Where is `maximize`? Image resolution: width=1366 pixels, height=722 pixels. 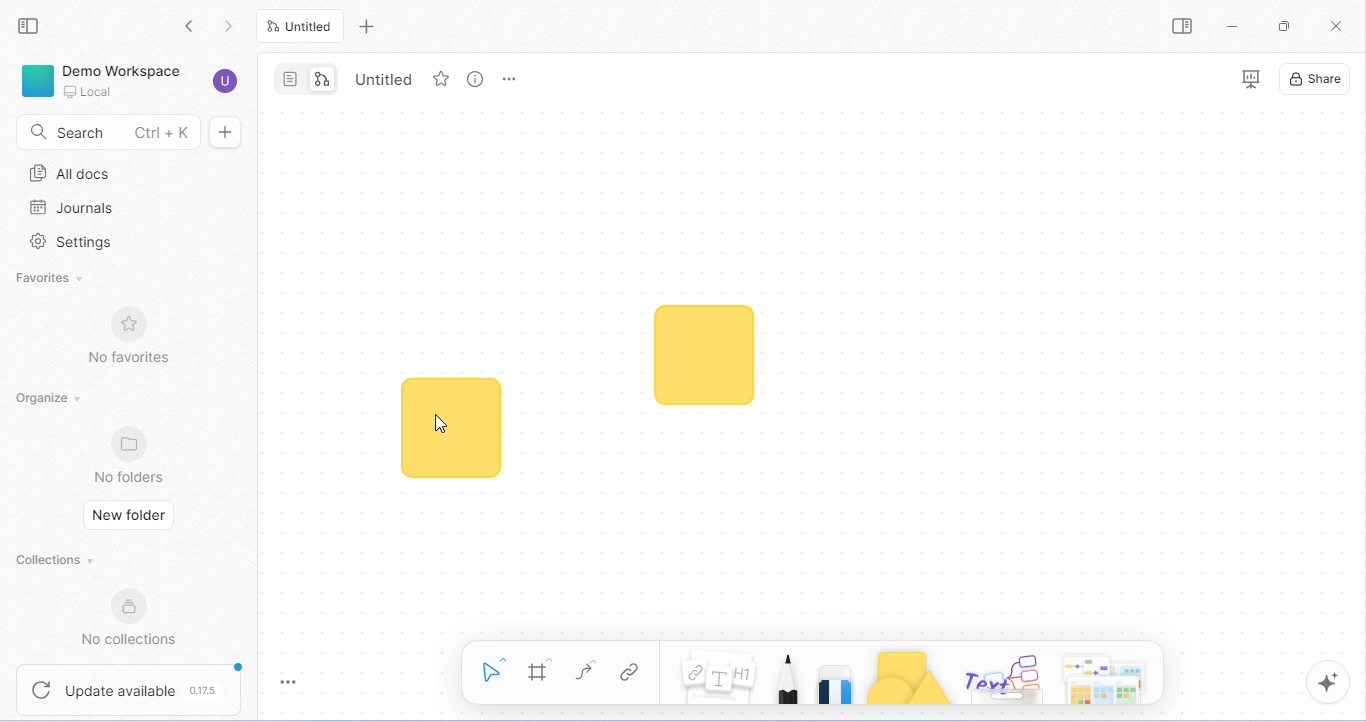 maximize is located at coordinates (1284, 26).